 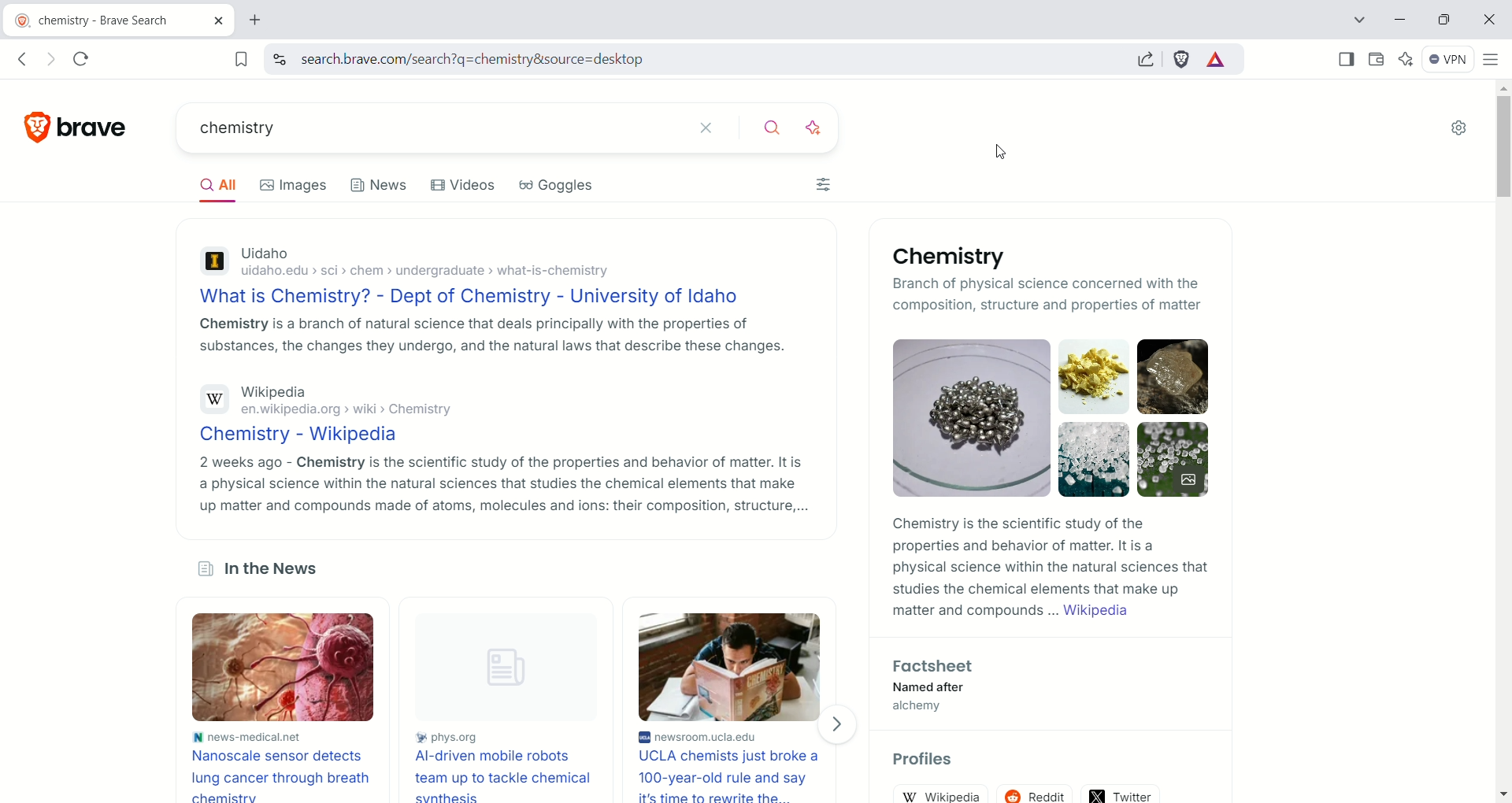 I want to click on click to go forward, hold to see history, so click(x=50, y=58).